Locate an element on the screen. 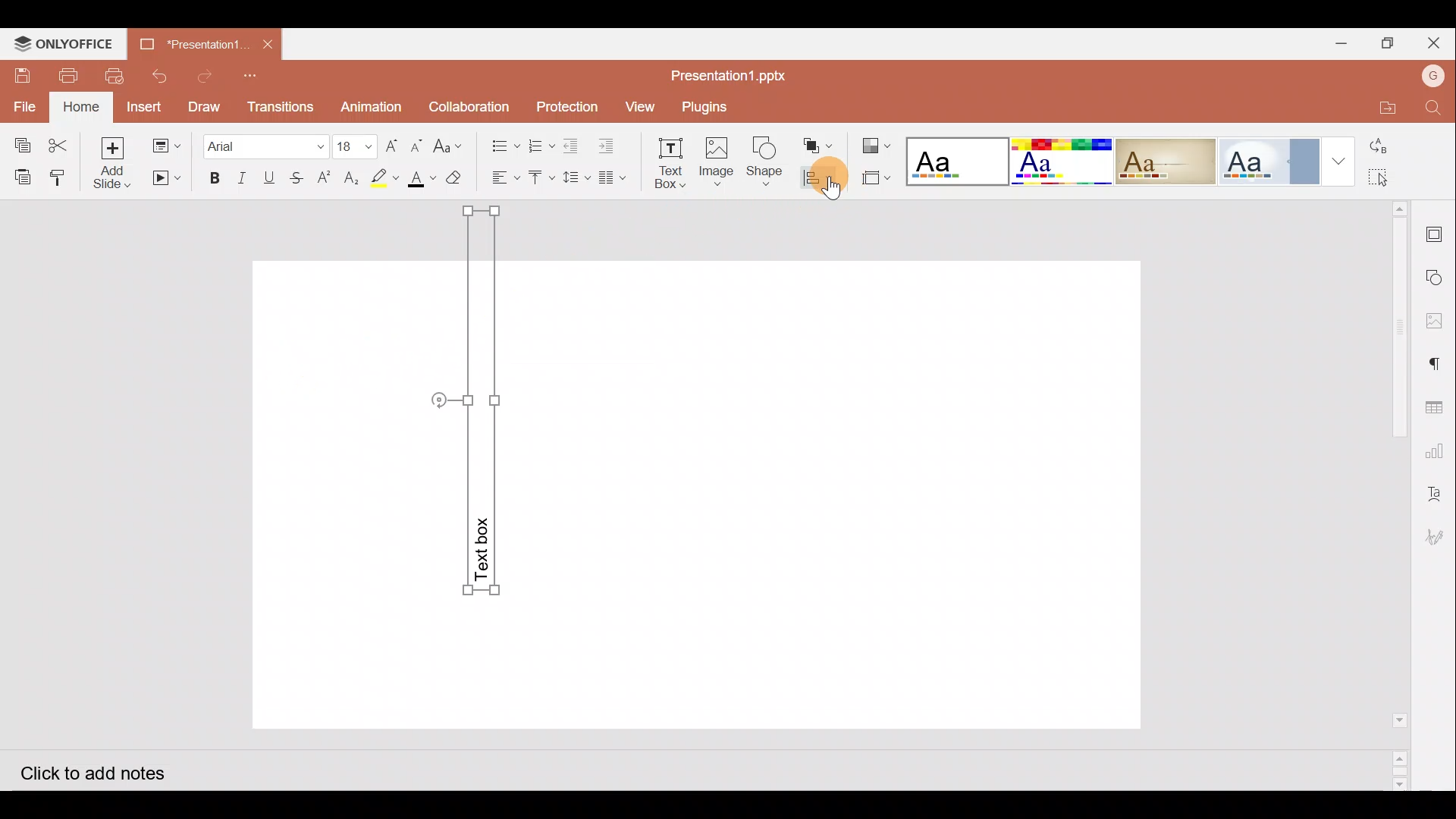 The image size is (1456, 819). Copy style is located at coordinates (63, 174).